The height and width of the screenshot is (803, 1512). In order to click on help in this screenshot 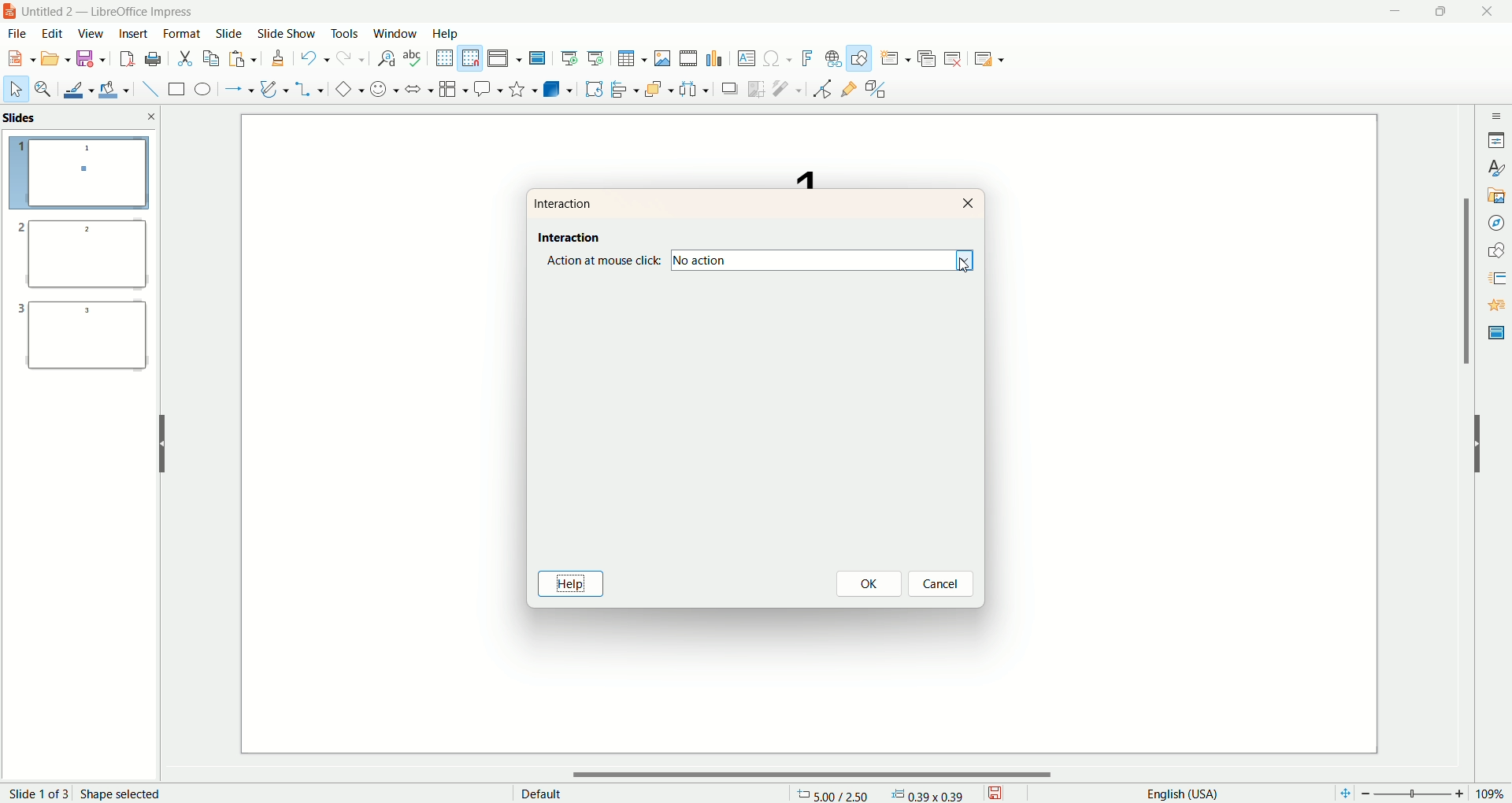, I will do `click(446, 33)`.